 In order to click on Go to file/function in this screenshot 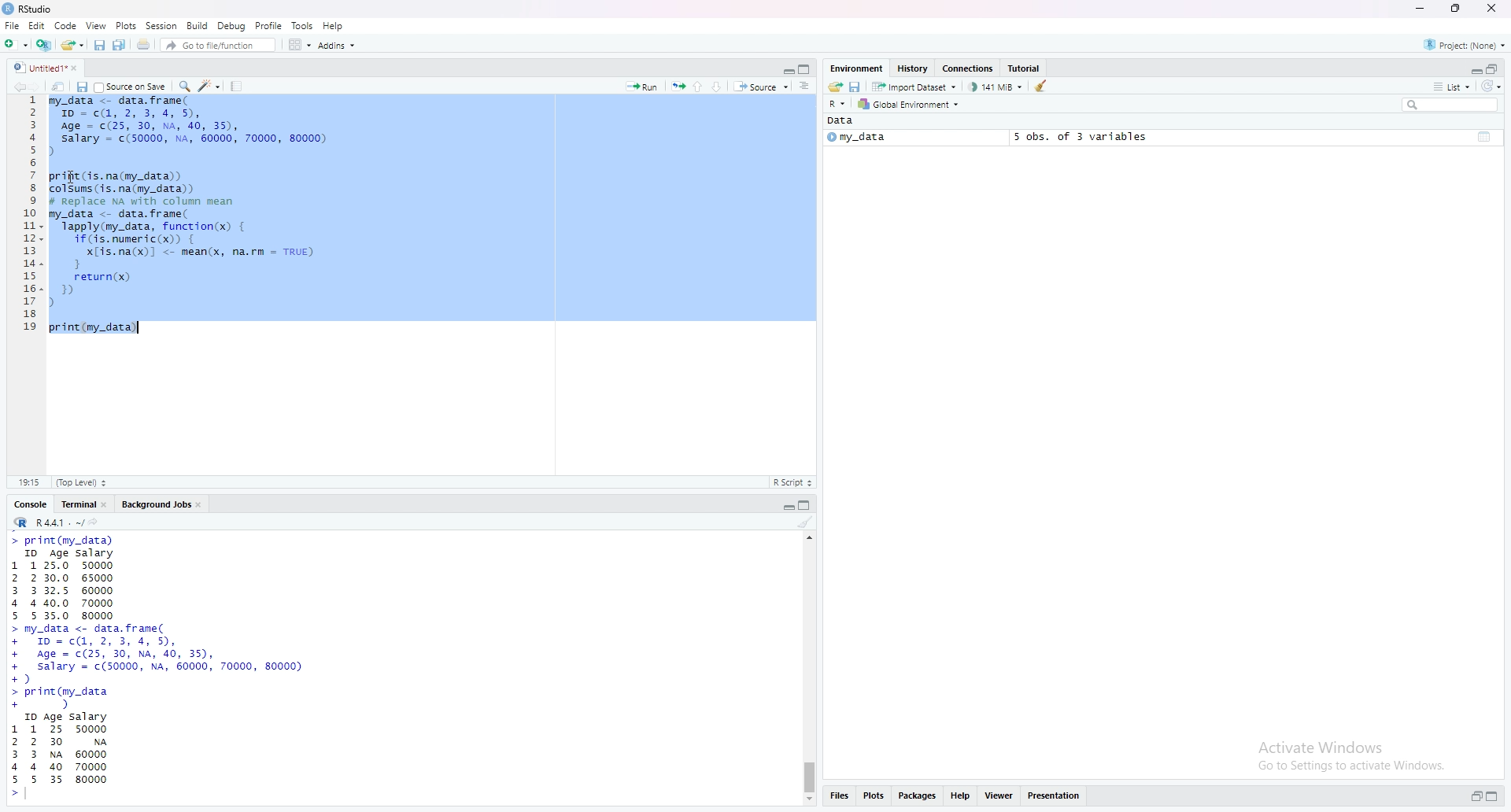, I will do `click(219, 46)`.